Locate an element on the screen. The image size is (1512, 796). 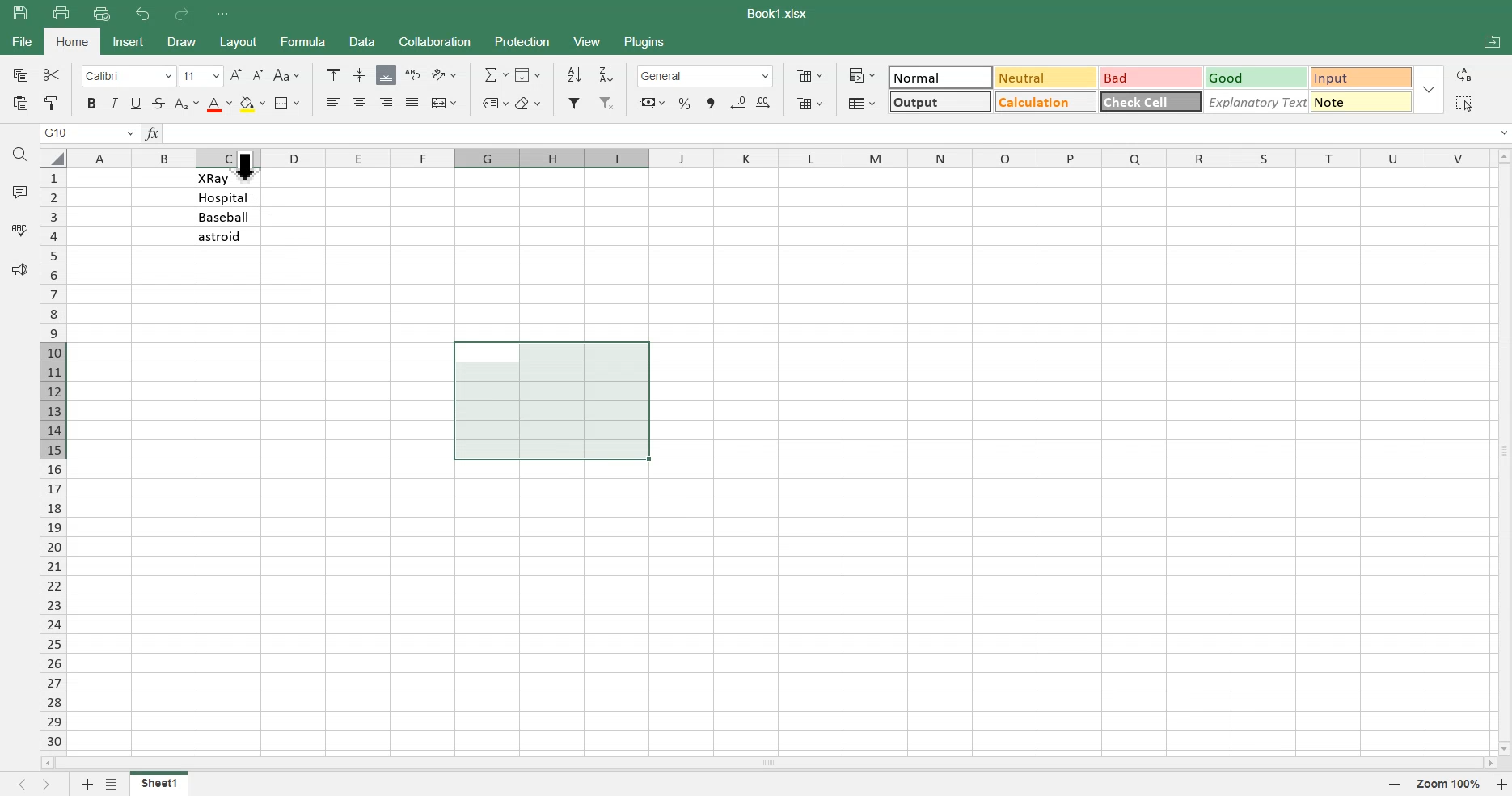
Insert Cell is located at coordinates (809, 75).